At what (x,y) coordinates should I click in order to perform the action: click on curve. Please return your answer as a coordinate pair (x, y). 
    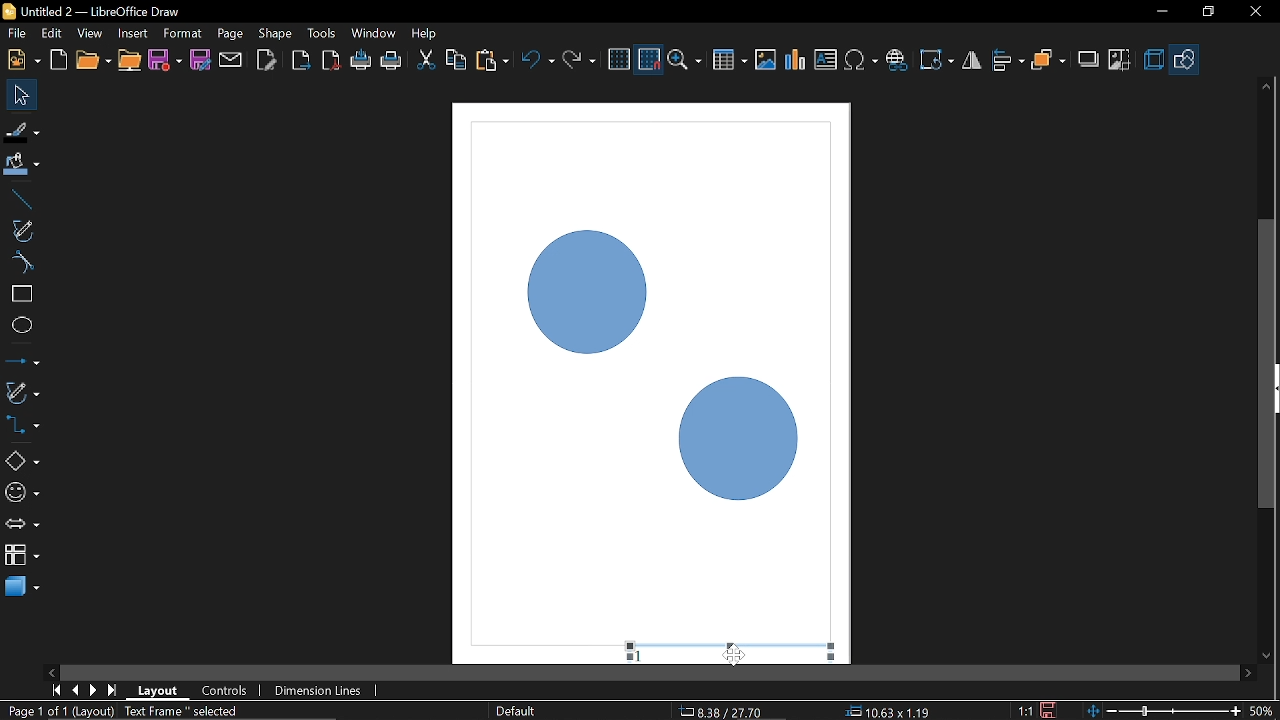
    Looking at the image, I should click on (20, 262).